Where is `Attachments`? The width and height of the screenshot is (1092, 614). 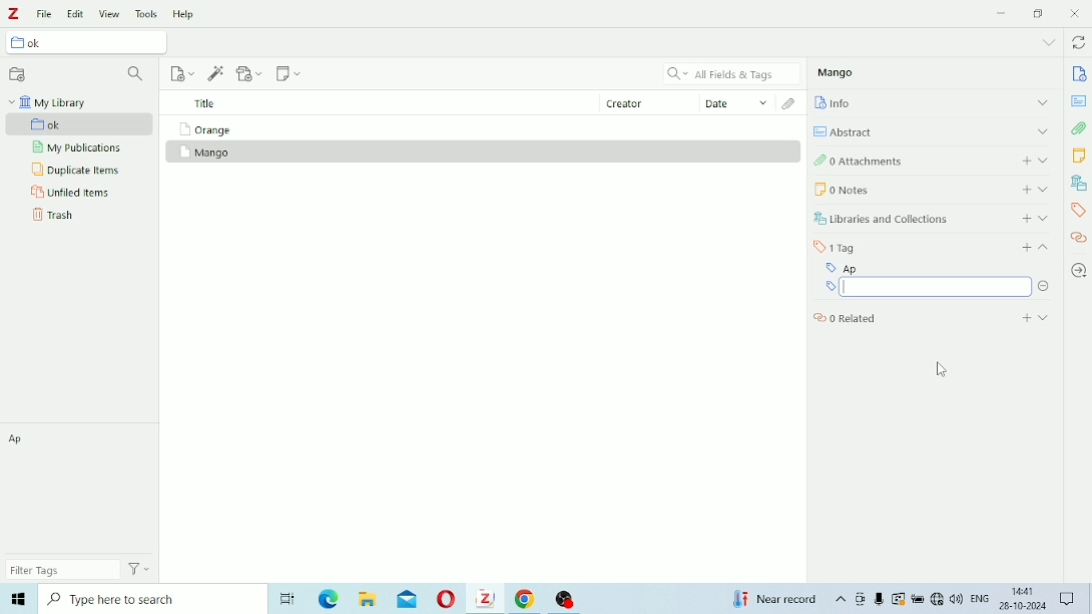
Attachments is located at coordinates (790, 104).